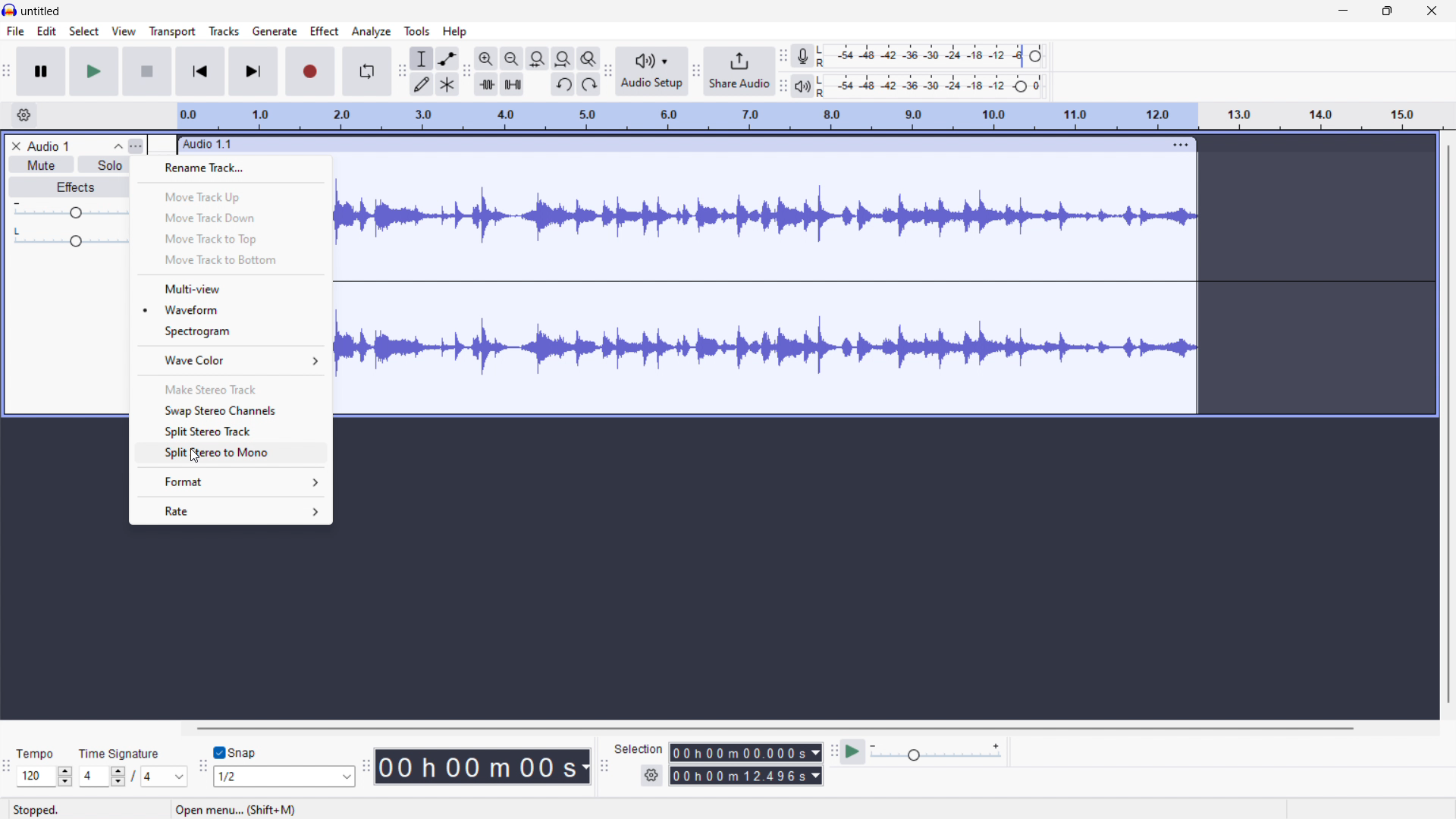 The image size is (1456, 819). Describe the element at coordinates (367, 72) in the screenshot. I see `enable loop` at that location.